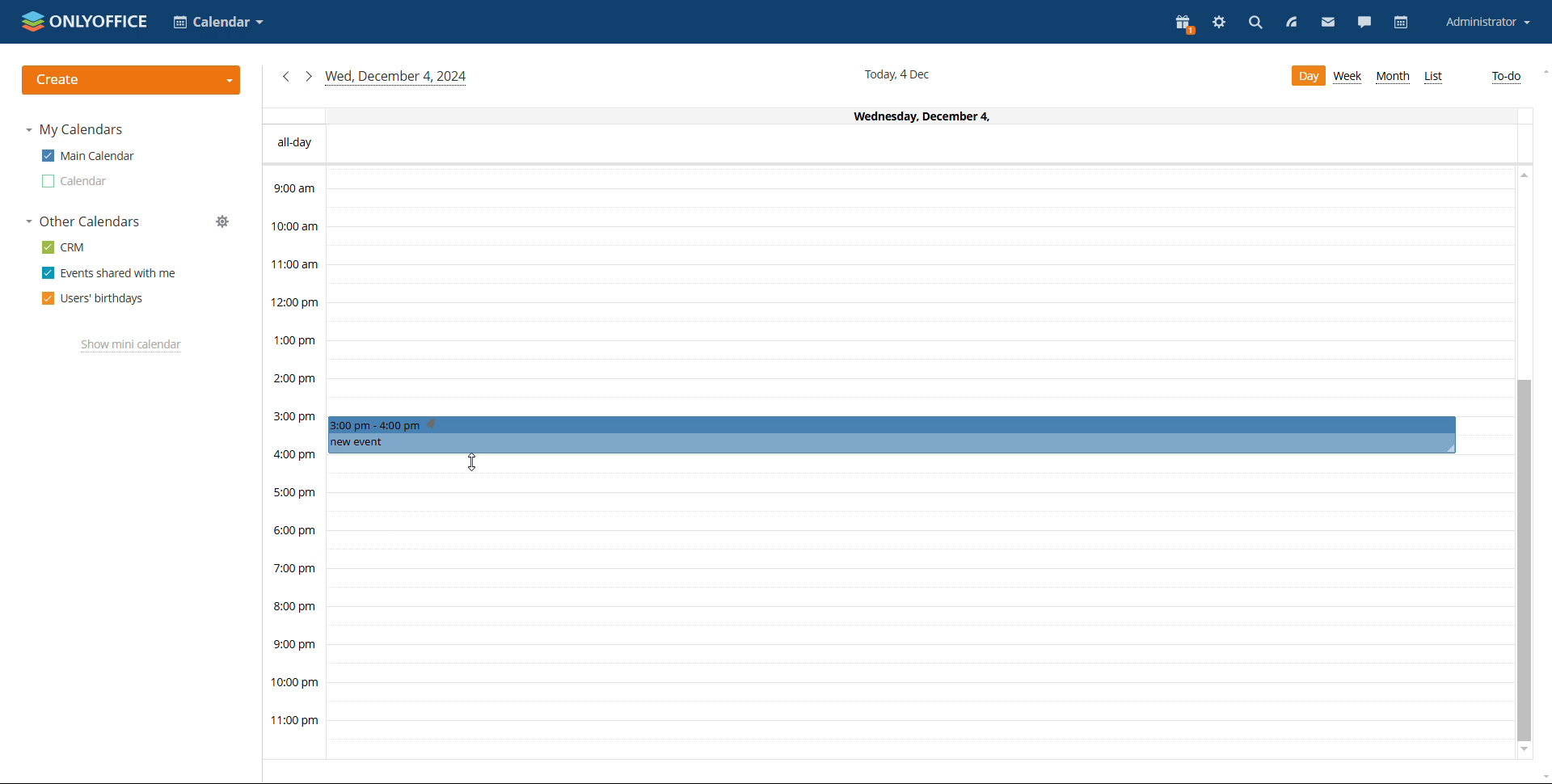 Image resolution: width=1552 pixels, height=784 pixels. What do you see at coordinates (886, 116) in the screenshot?
I see `date` at bounding box center [886, 116].